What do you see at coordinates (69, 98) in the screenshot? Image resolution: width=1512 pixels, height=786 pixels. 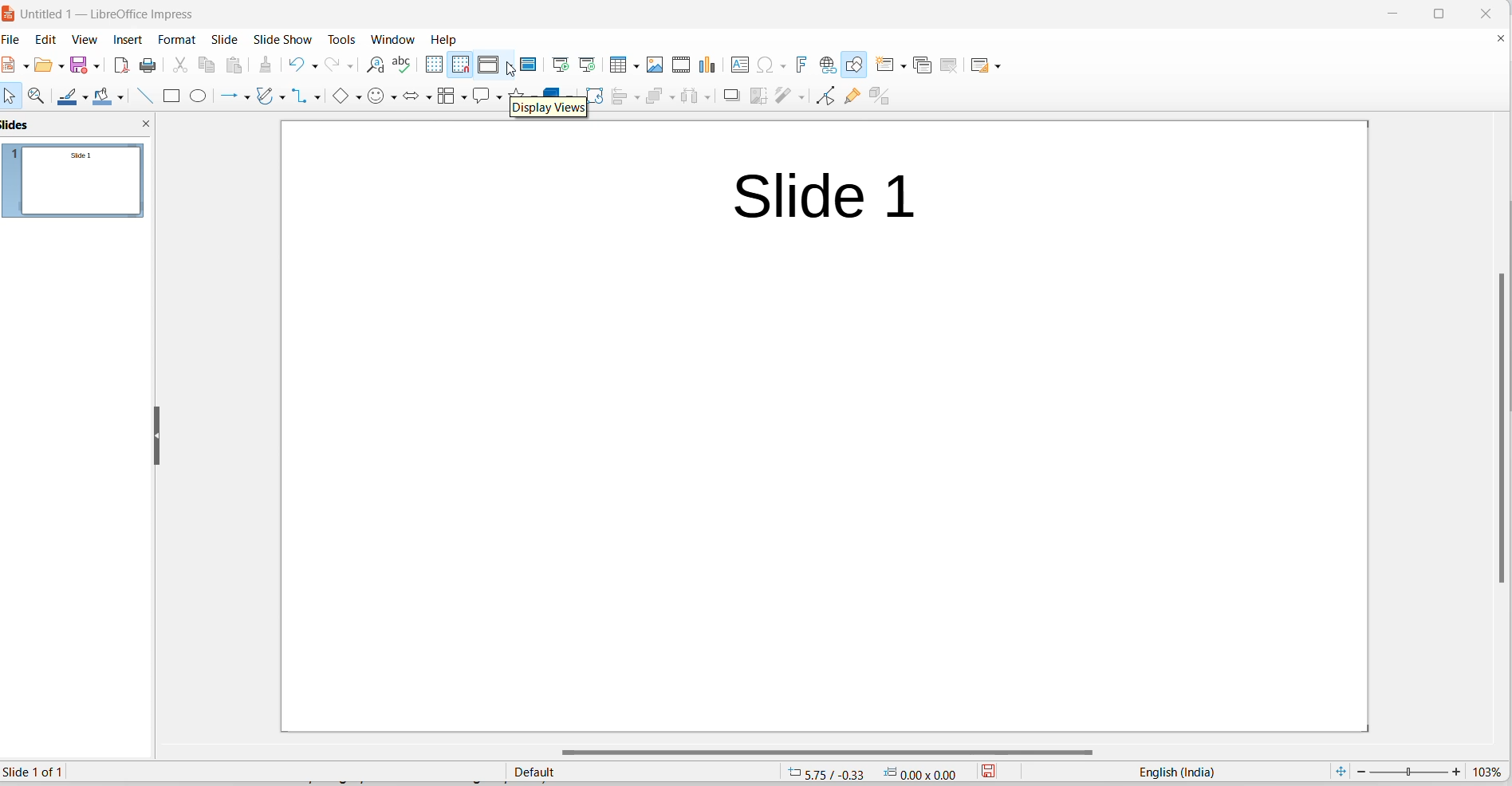 I see `line colors` at bounding box center [69, 98].